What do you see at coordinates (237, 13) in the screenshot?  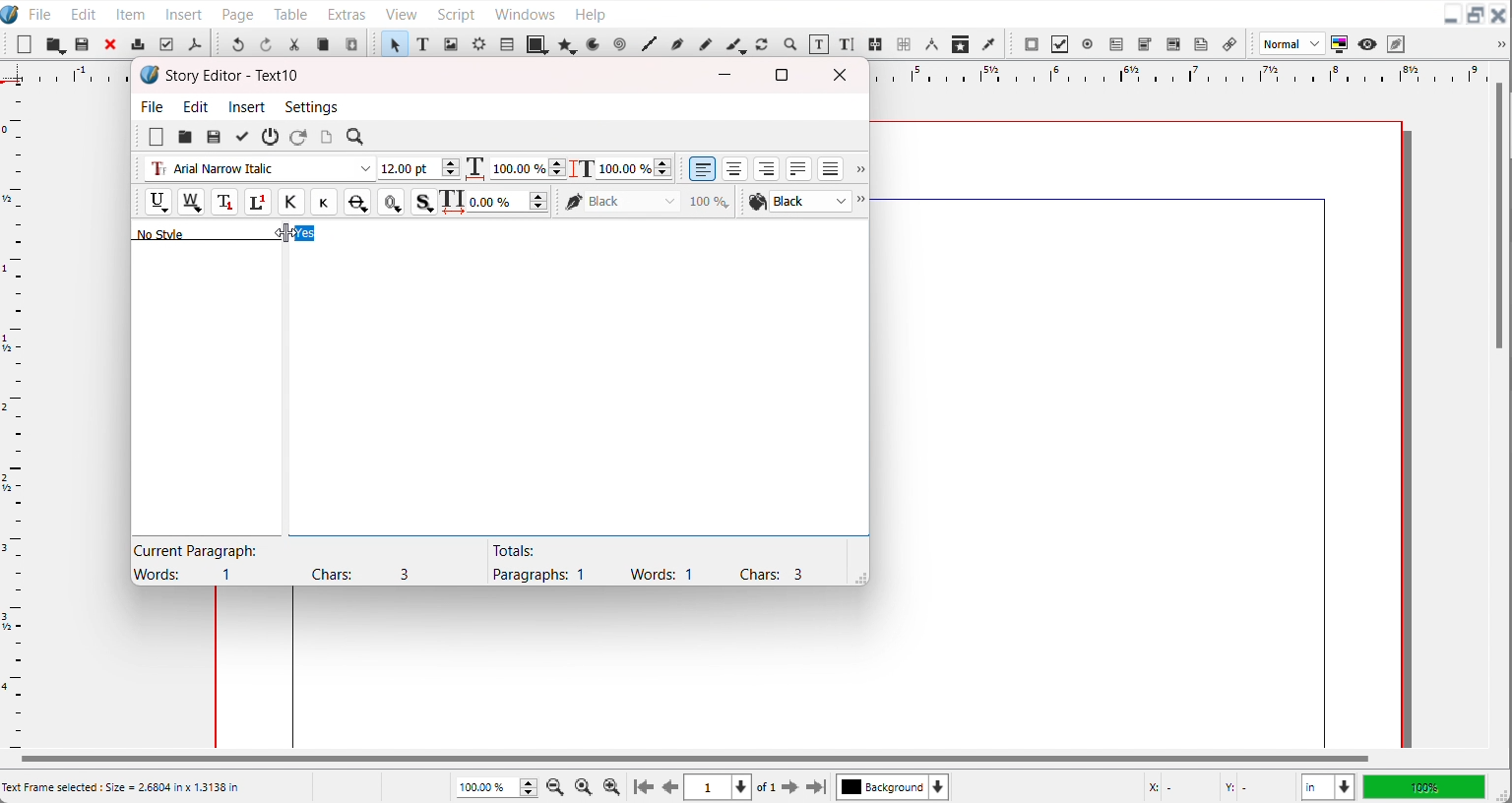 I see `Page` at bounding box center [237, 13].